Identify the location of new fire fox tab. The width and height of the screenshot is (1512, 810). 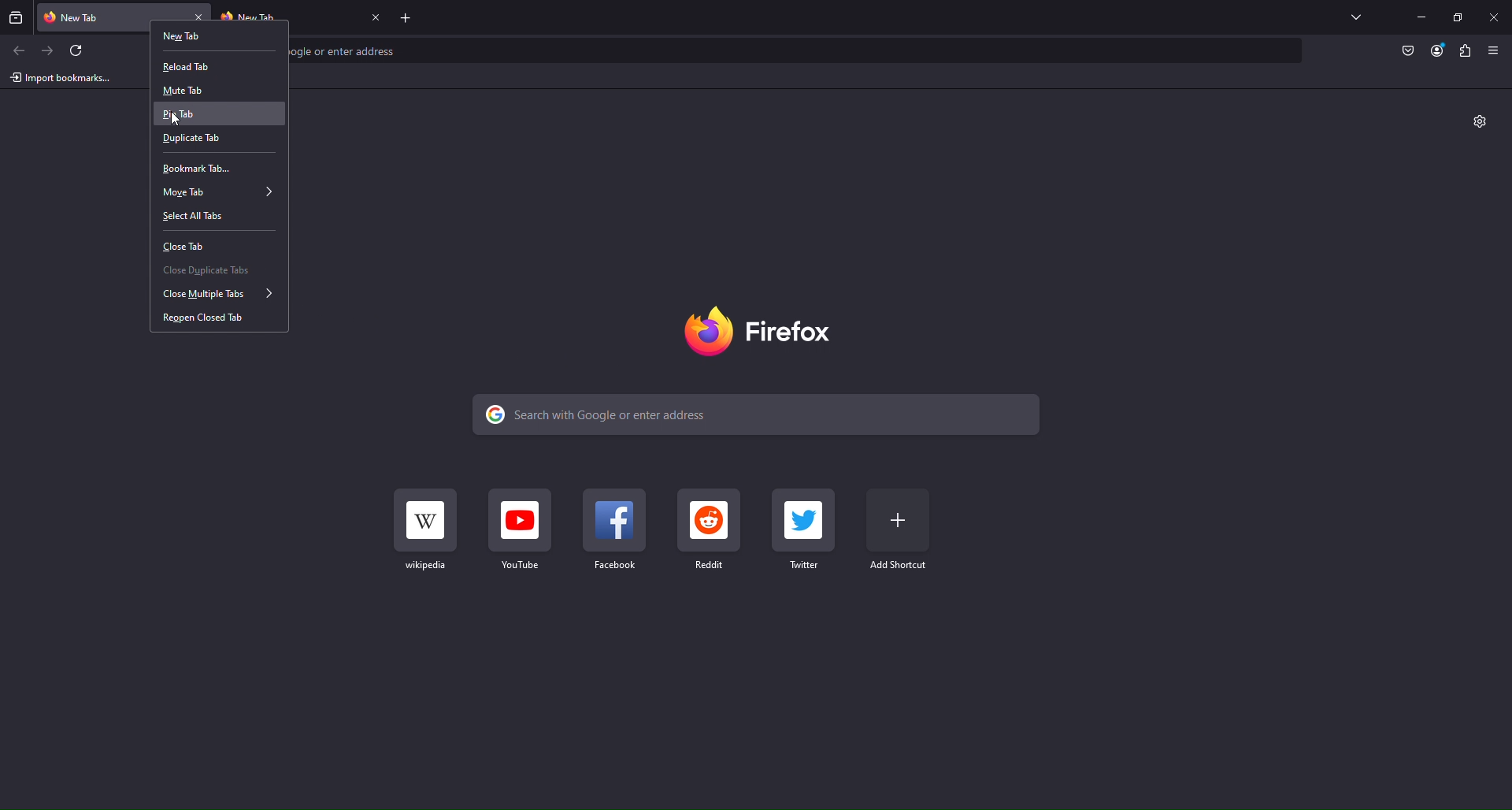
(111, 14).